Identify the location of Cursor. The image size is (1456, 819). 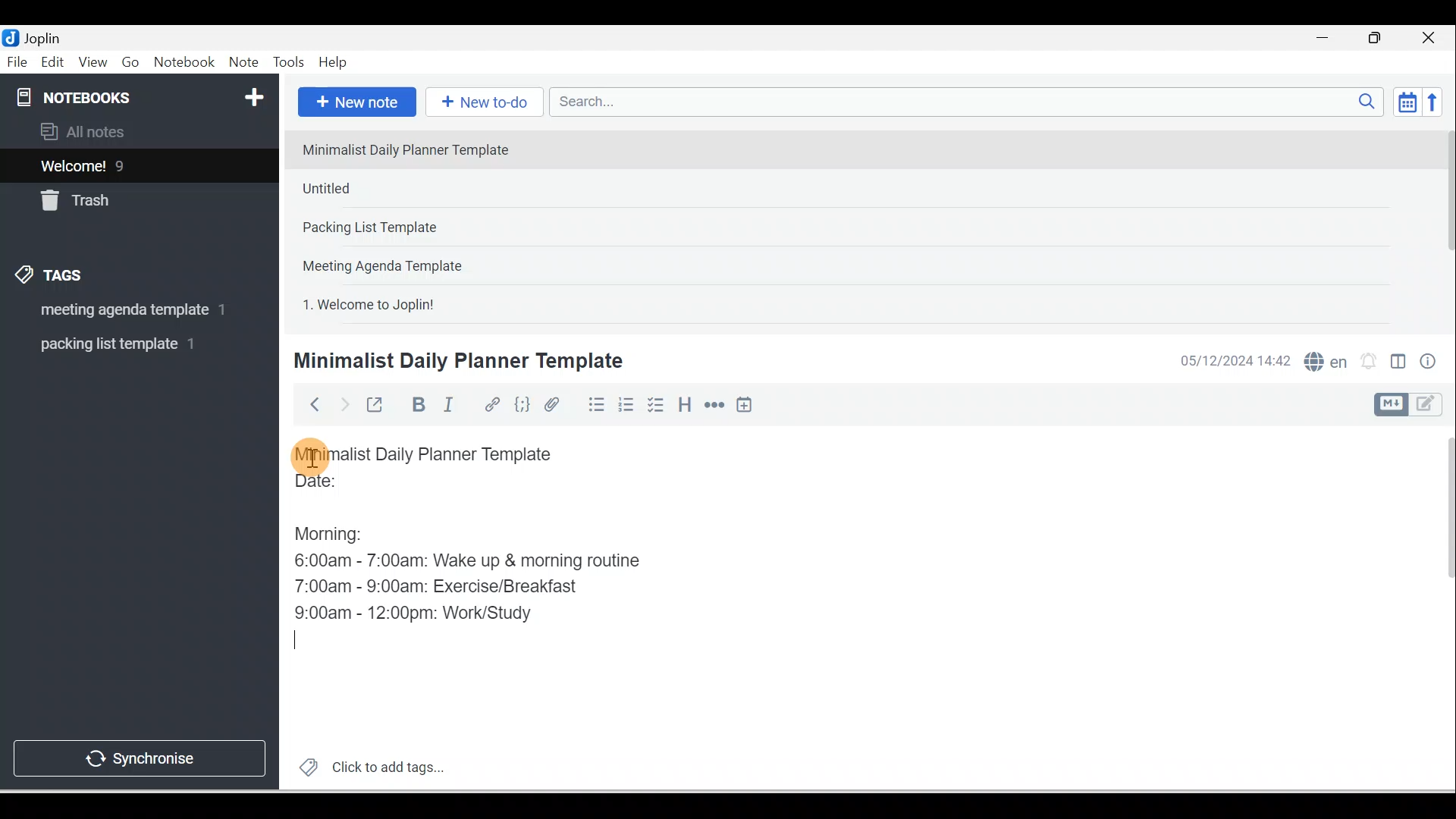
(311, 455).